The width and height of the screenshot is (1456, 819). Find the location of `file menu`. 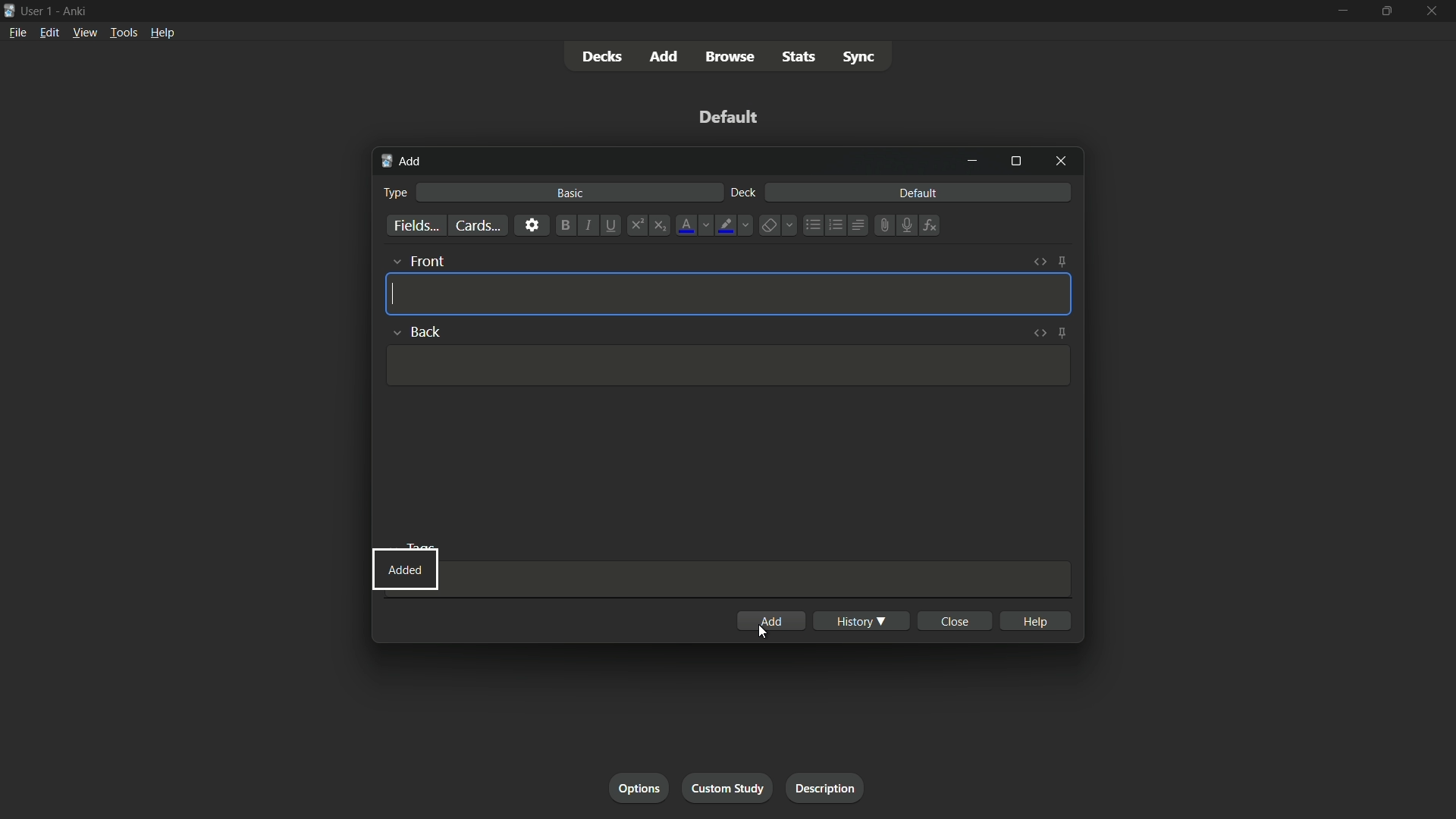

file menu is located at coordinates (18, 32).